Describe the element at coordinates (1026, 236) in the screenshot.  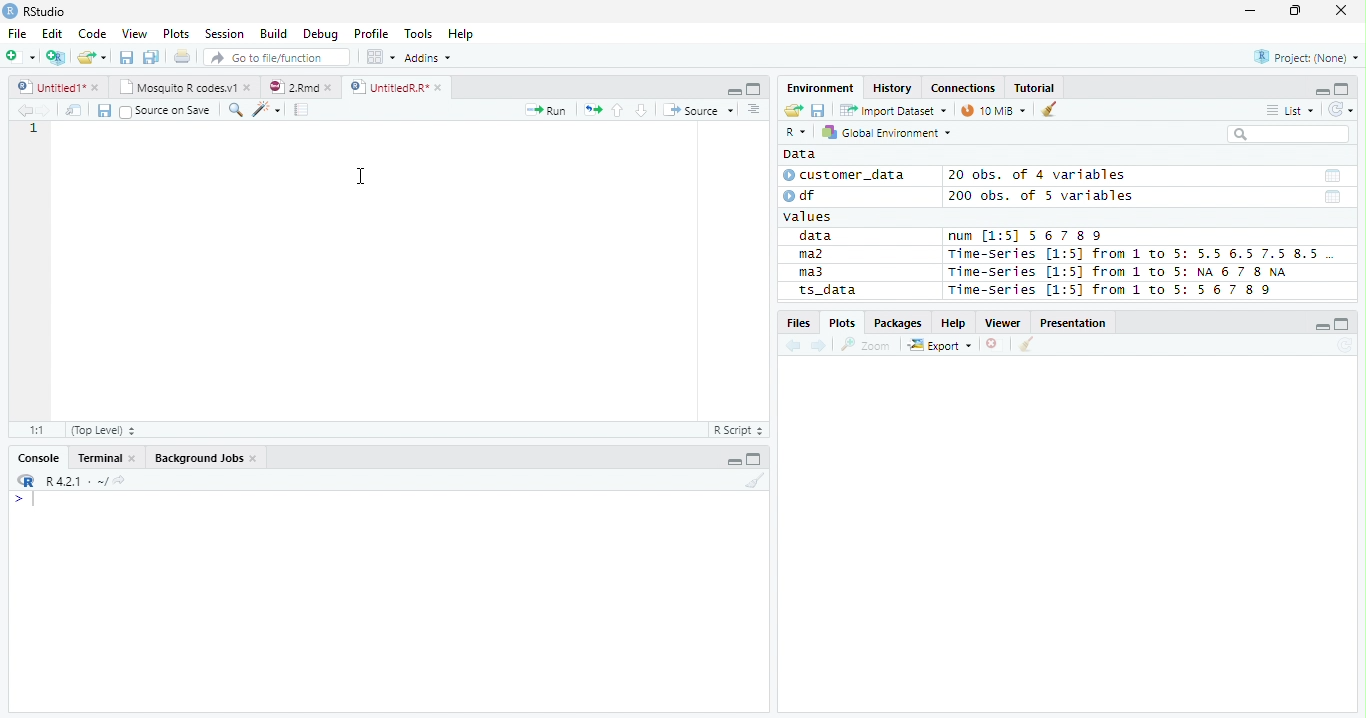
I see `num [1:5] 567 89` at that location.